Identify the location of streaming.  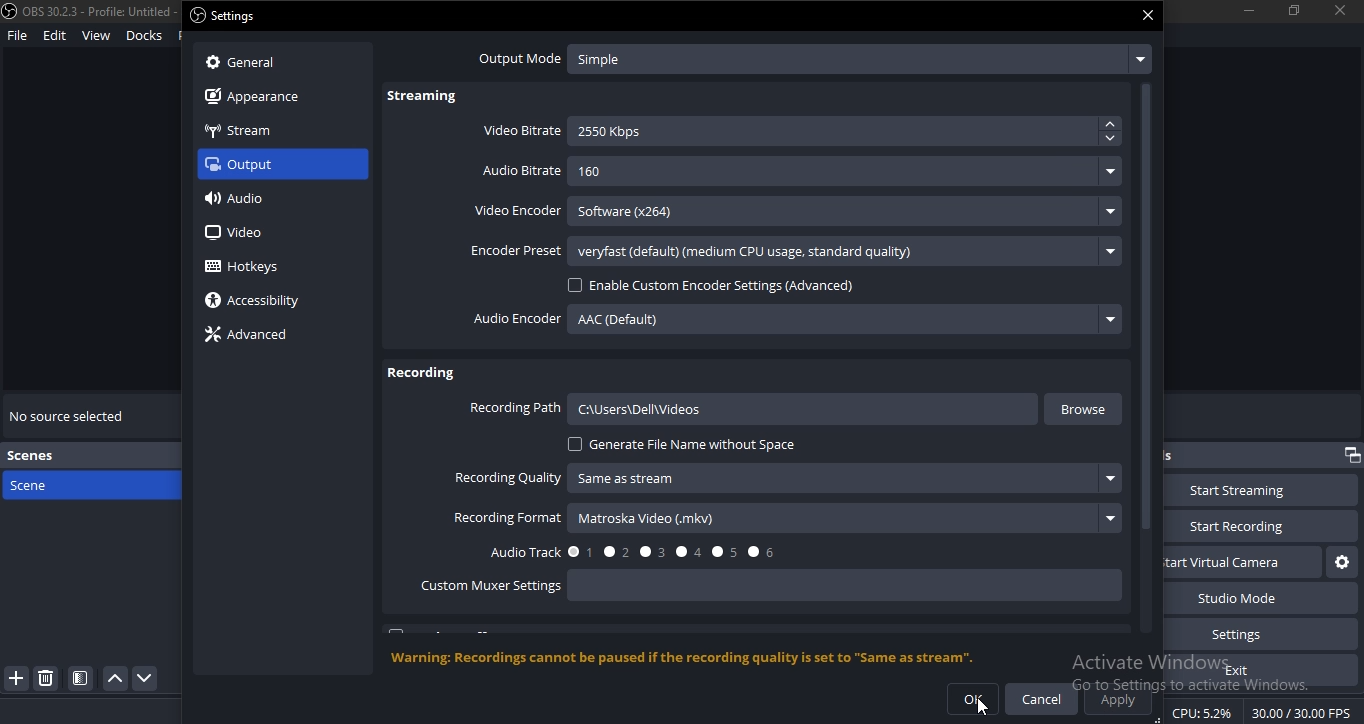
(424, 98).